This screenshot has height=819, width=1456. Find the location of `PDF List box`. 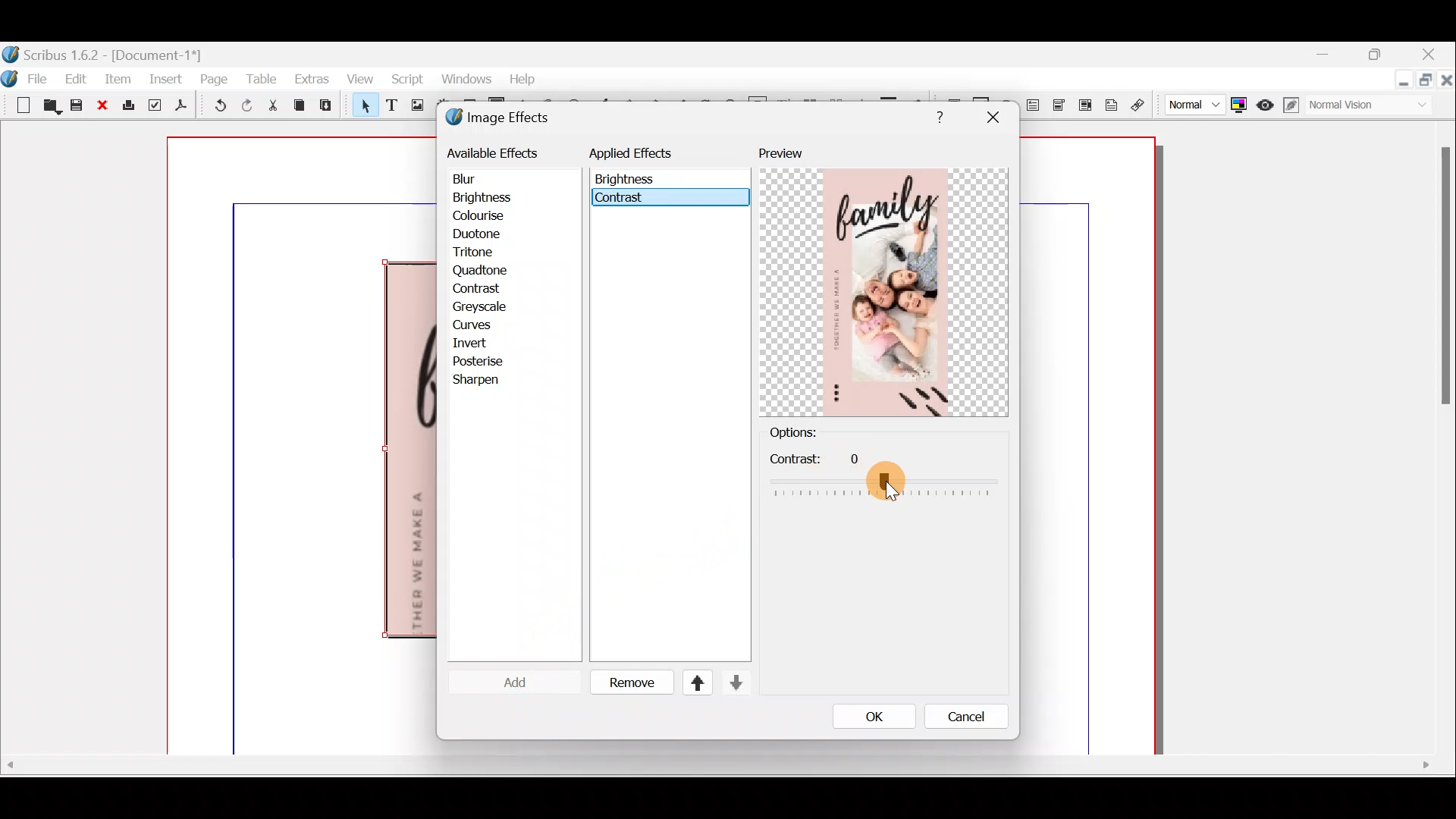

PDF List box is located at coordinates (1085, 104).